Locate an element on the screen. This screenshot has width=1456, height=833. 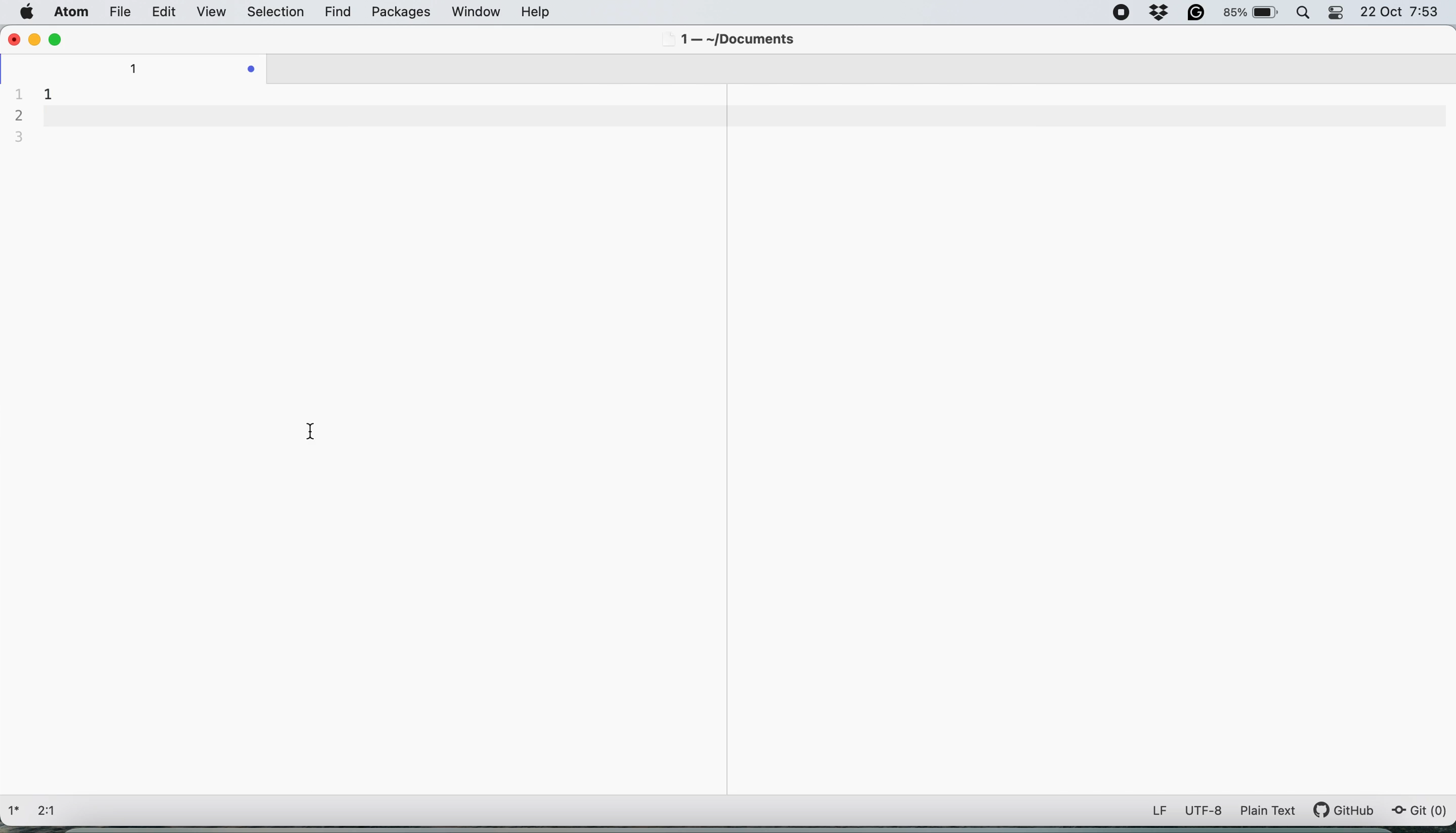
file is located at coordinates (117, 11).